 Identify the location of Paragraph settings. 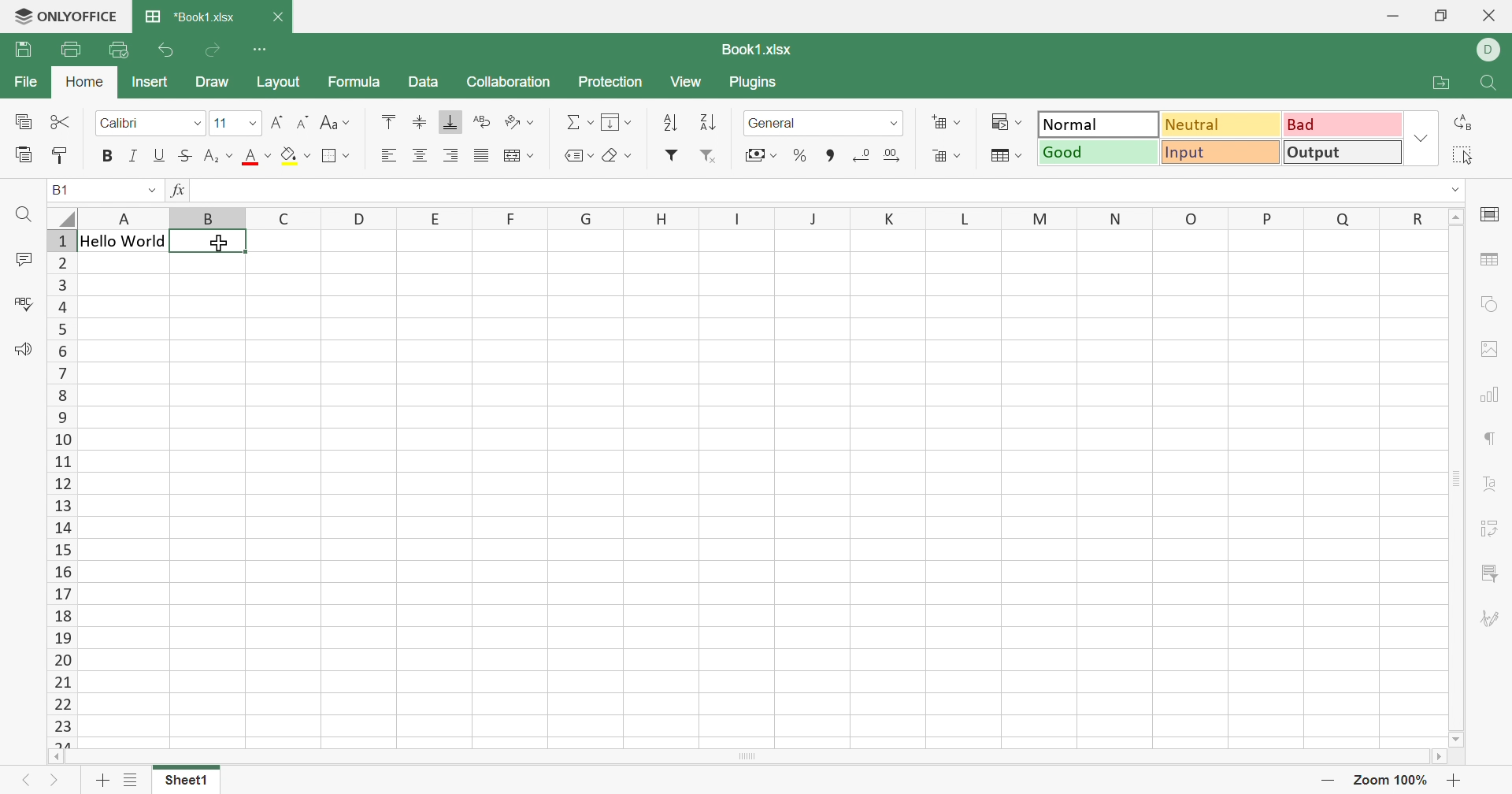
(1488, 440).